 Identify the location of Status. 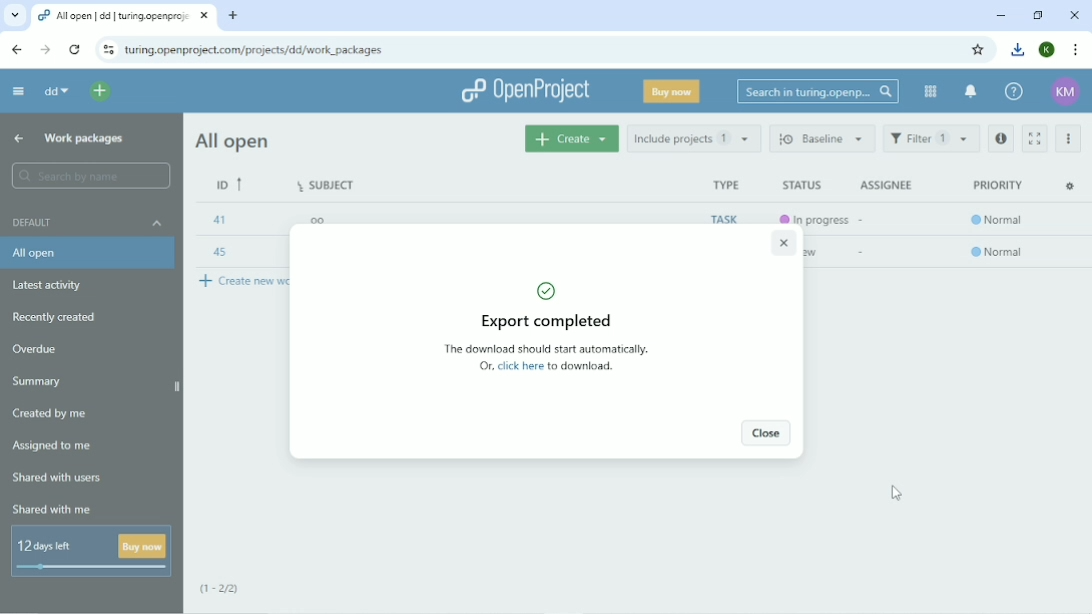
(802, 186).